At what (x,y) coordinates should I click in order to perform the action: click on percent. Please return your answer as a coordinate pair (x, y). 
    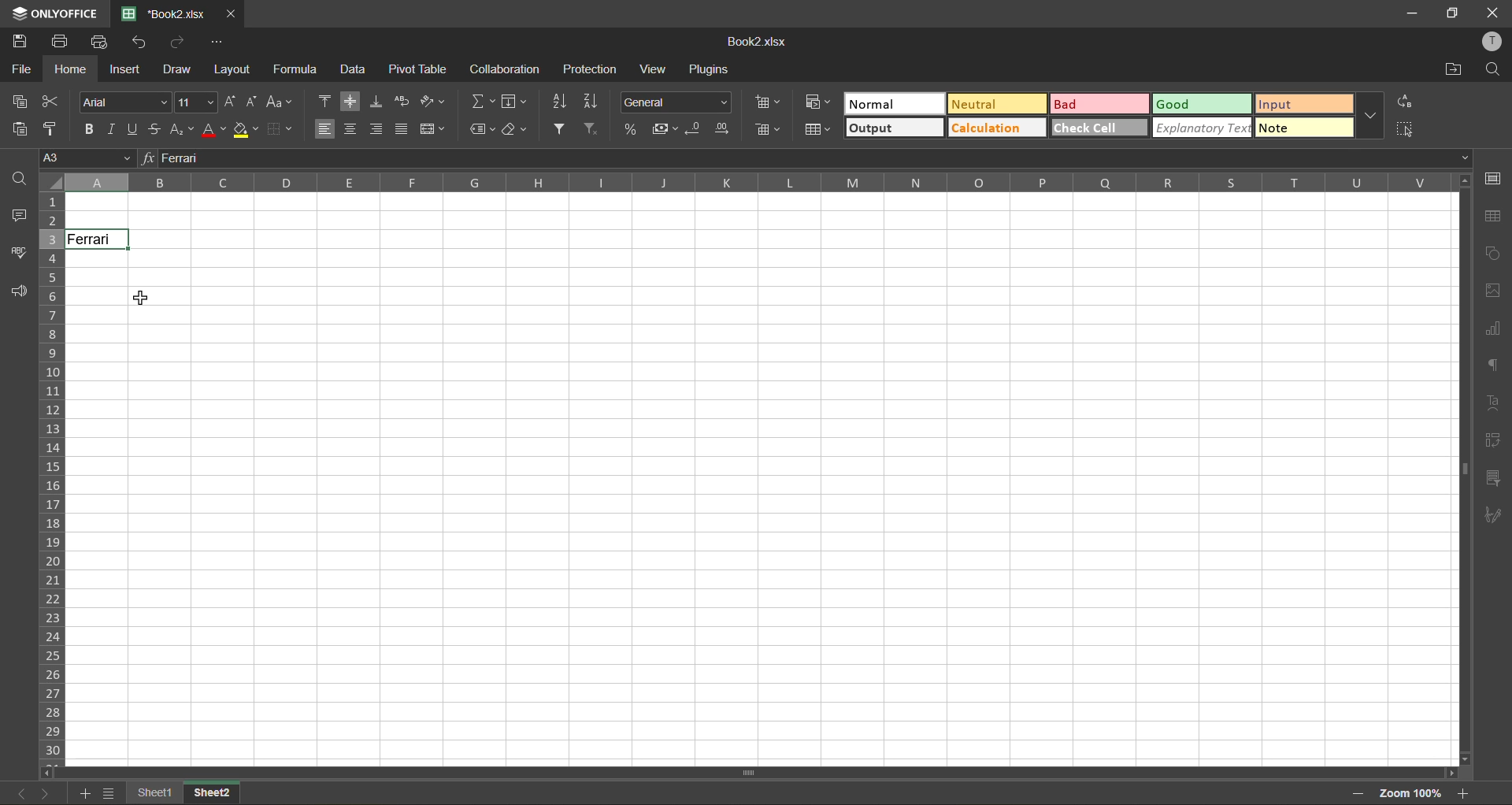
    Looking at the image, I should click on (631, 128).